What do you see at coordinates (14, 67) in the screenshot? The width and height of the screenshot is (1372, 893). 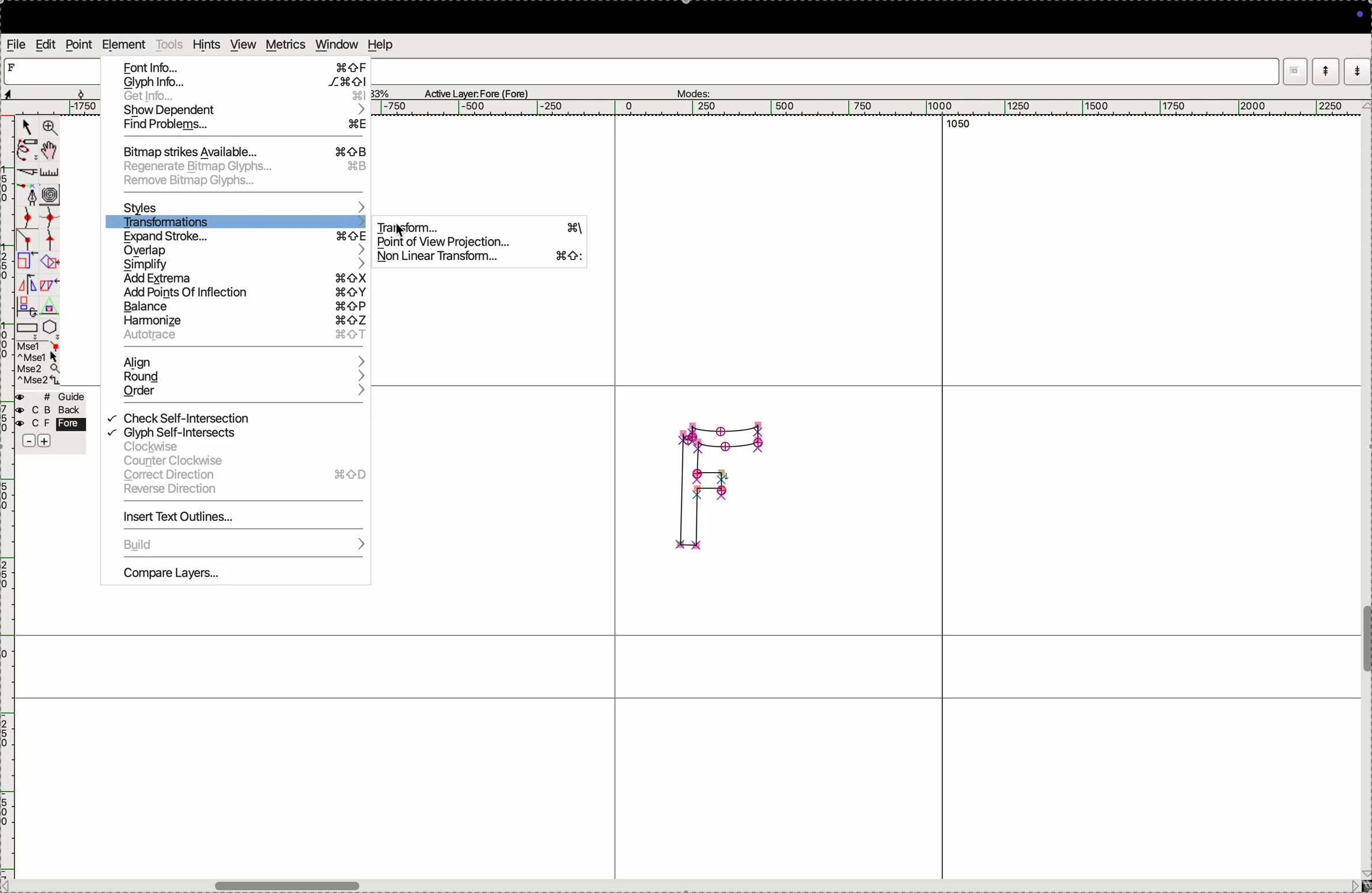 I see `letter F` at bounding box center [14, 67].